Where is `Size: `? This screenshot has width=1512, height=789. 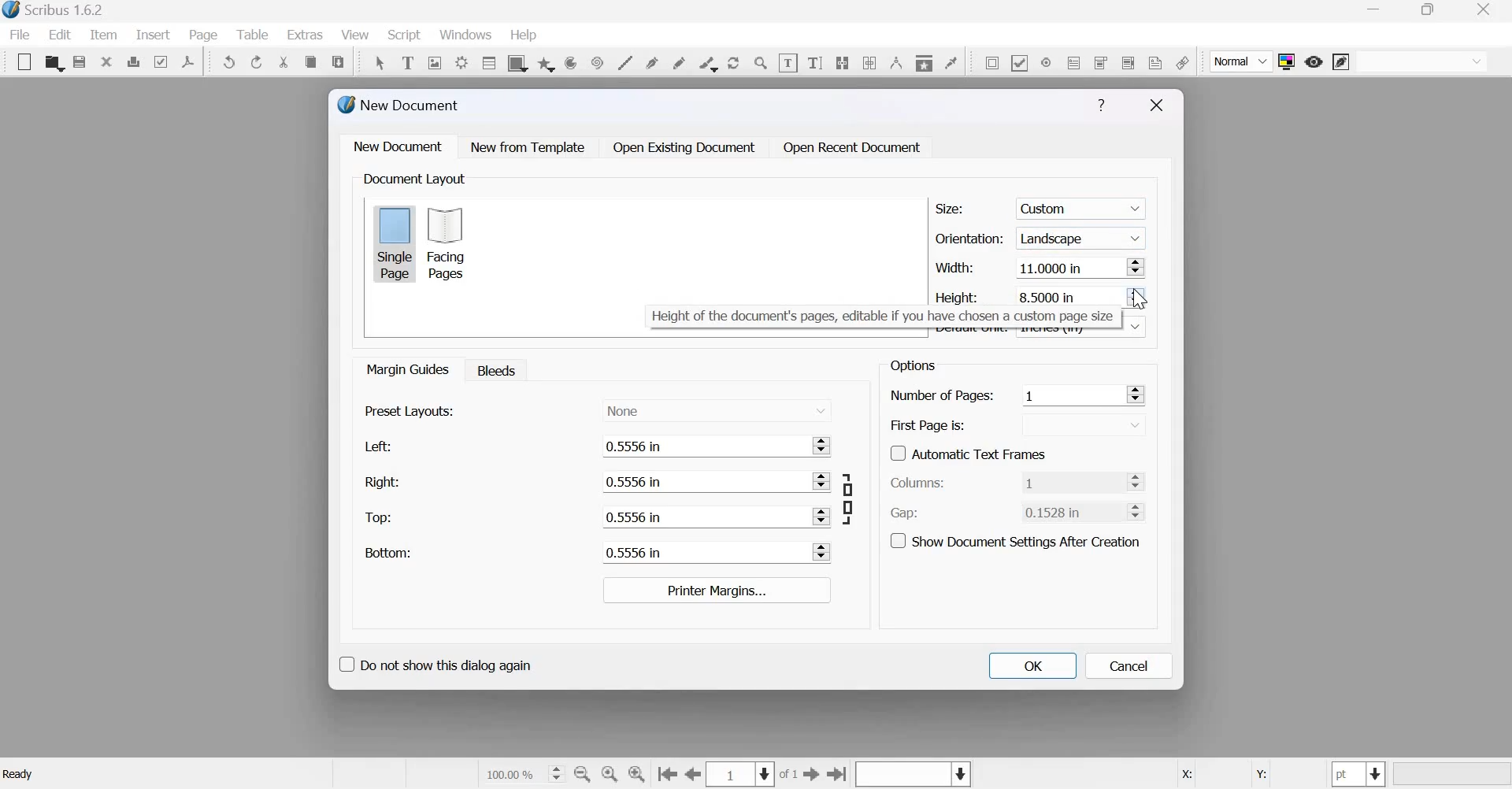 Size:  is located at coordinates (950, 209).